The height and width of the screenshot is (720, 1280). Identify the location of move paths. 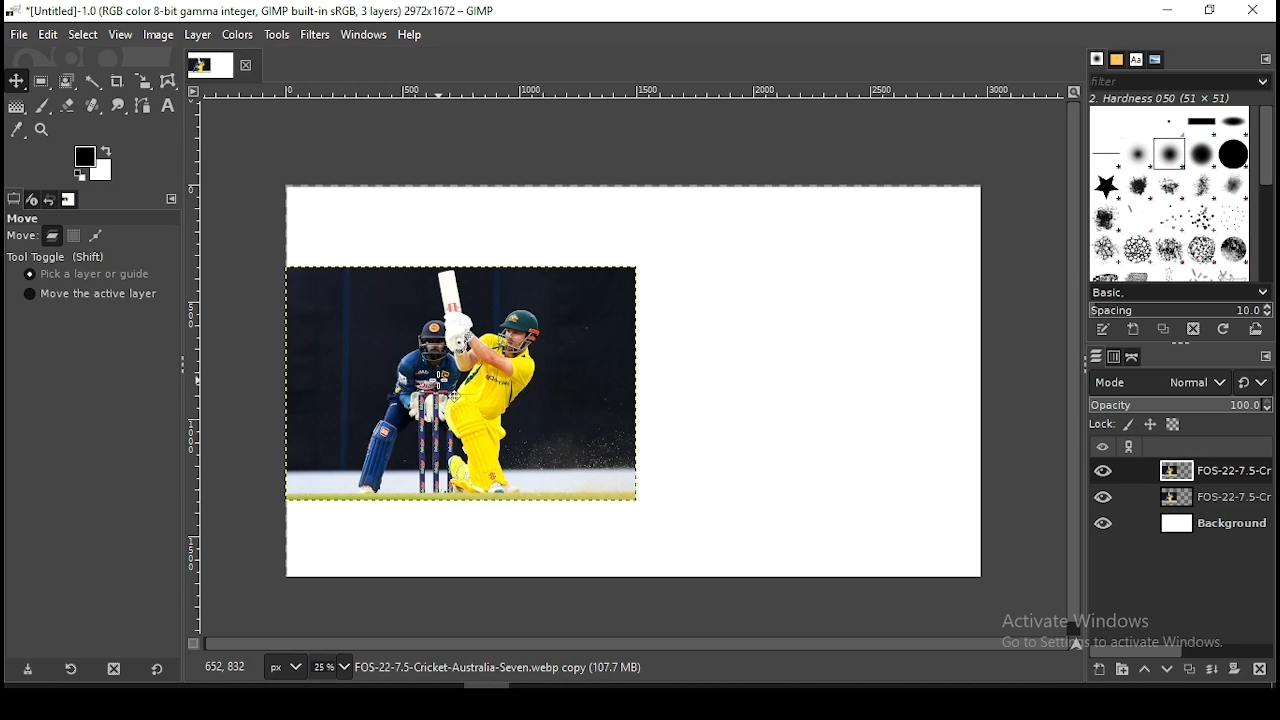
(96, 235).